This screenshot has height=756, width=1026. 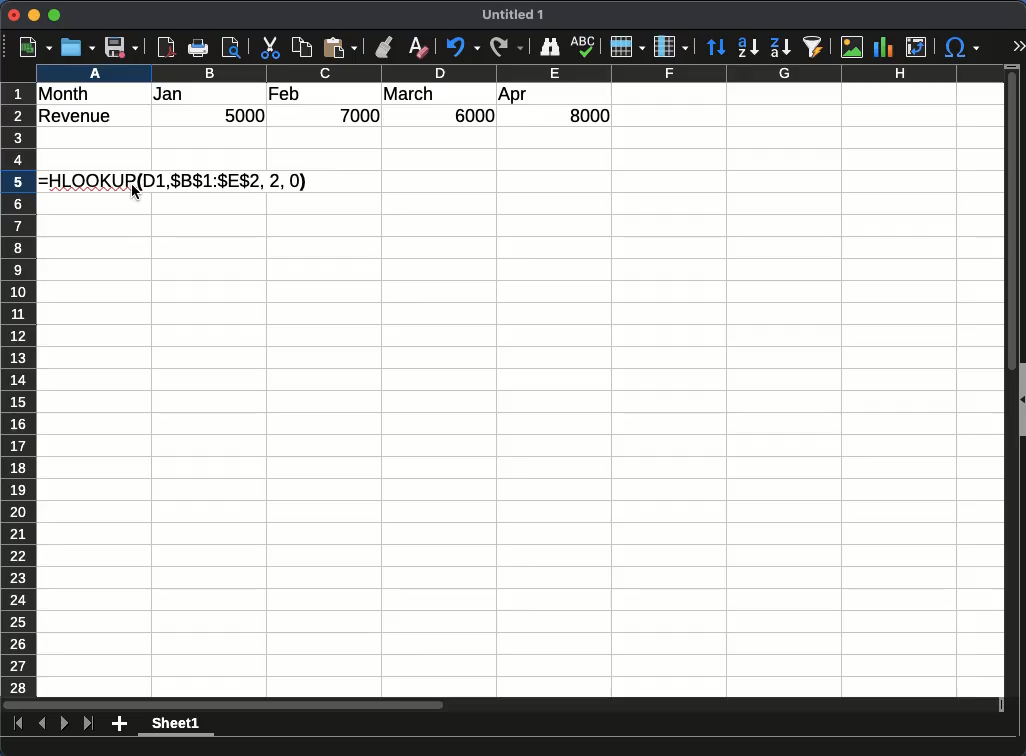 I want to click on pdf preview, so click(x=165, y=47).